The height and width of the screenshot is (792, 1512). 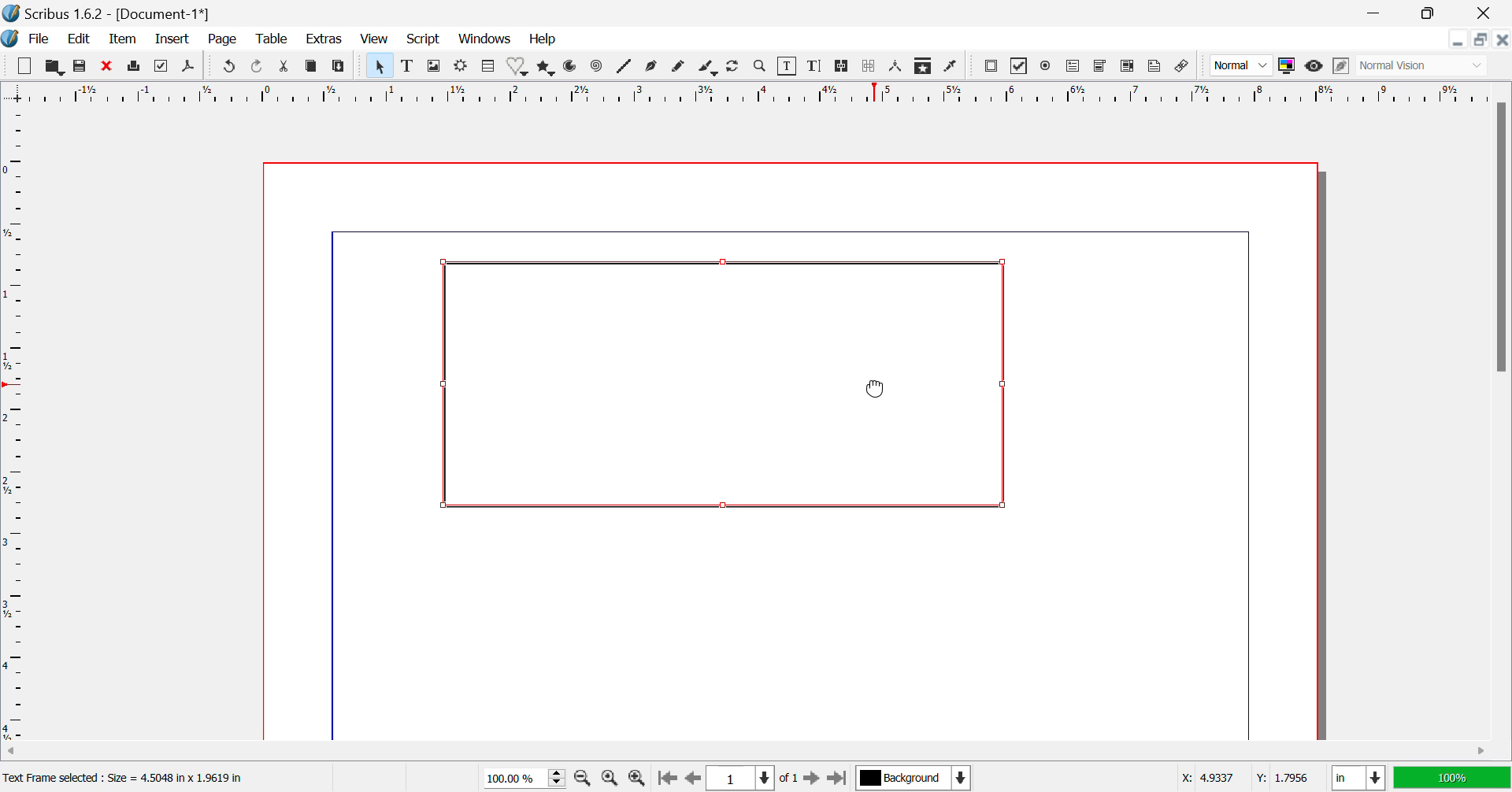 What do you see at coordinates (1484, 13) in the screenshot?
I see `Close` at bounding box center [1484, 13].